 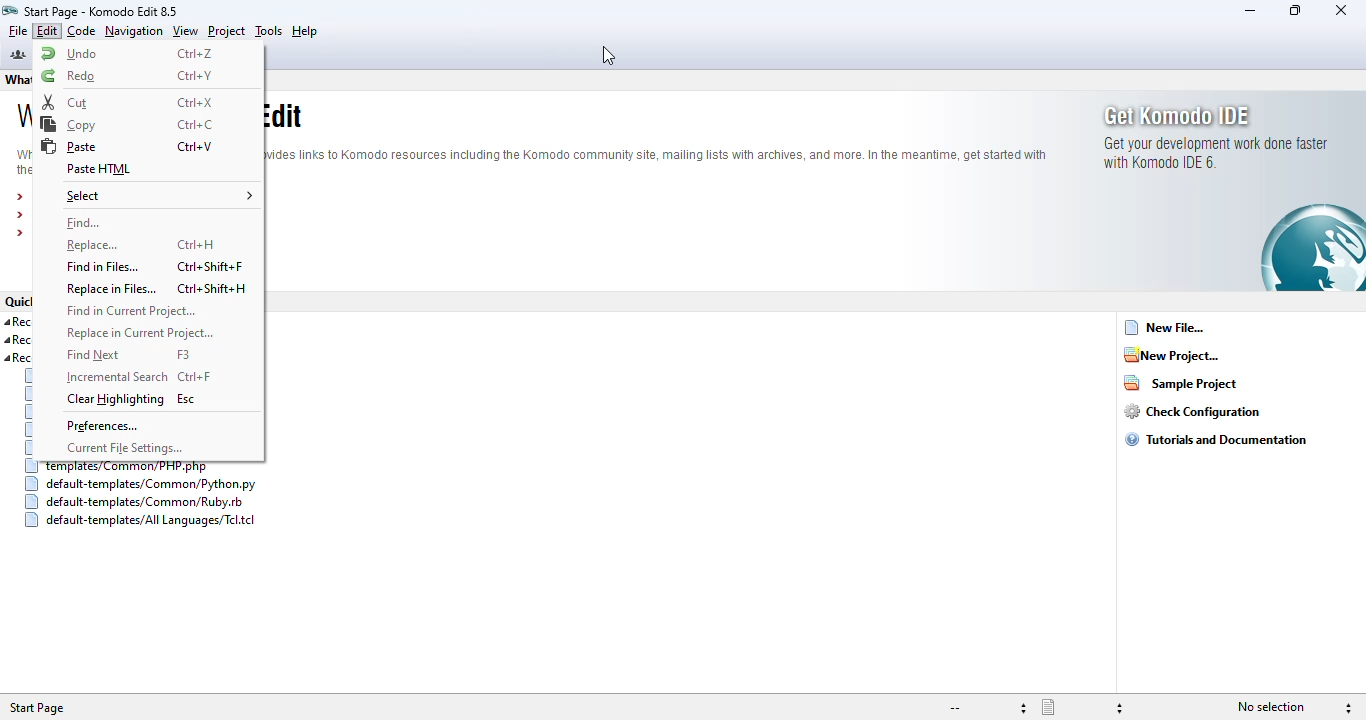 What do you see at coordinates (16, 339) in the screenshot?
I see `recent files` at bounding box center [16, 339].